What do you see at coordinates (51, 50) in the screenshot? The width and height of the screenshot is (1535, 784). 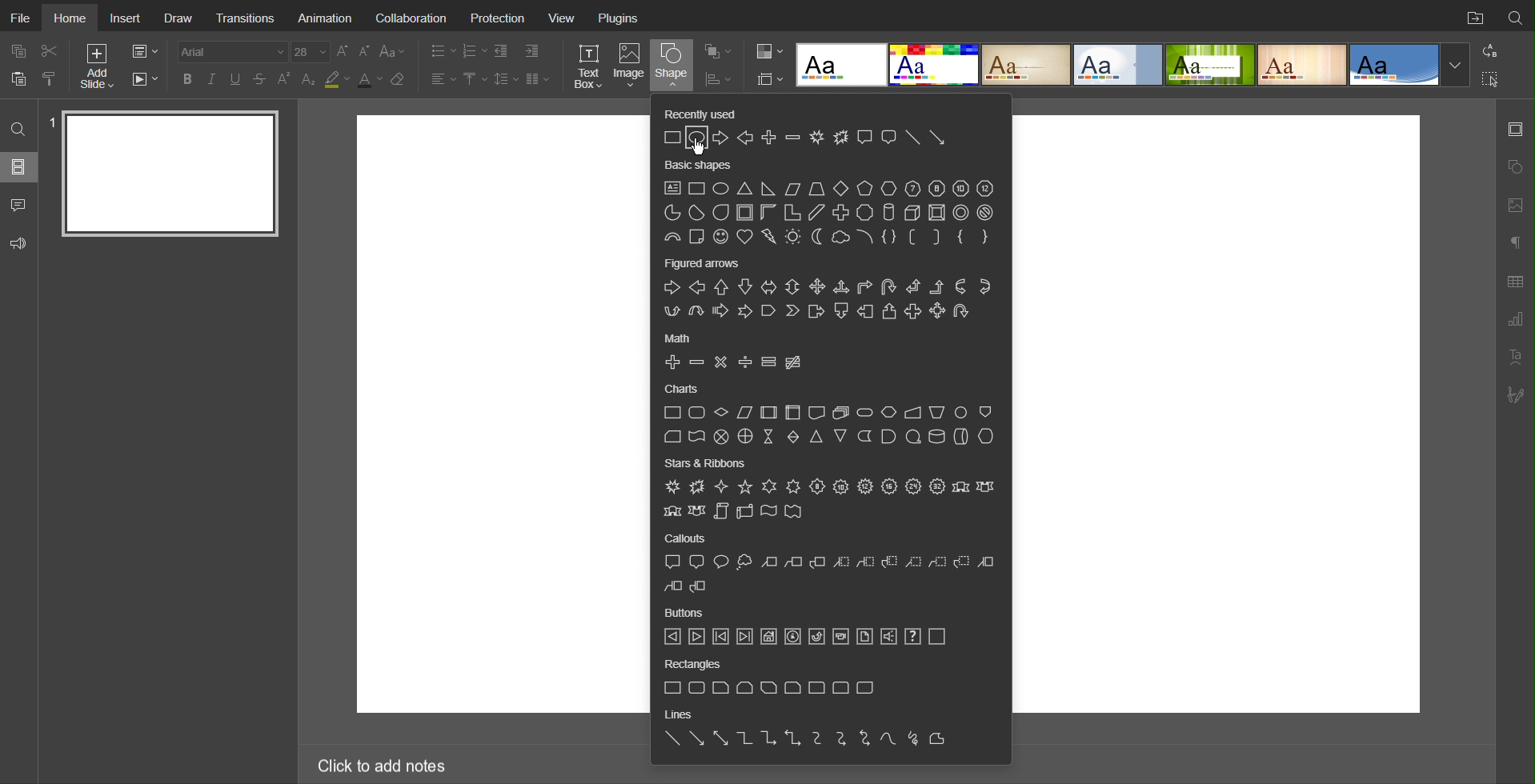 I see `Cut` at bounding box center [51, 50].